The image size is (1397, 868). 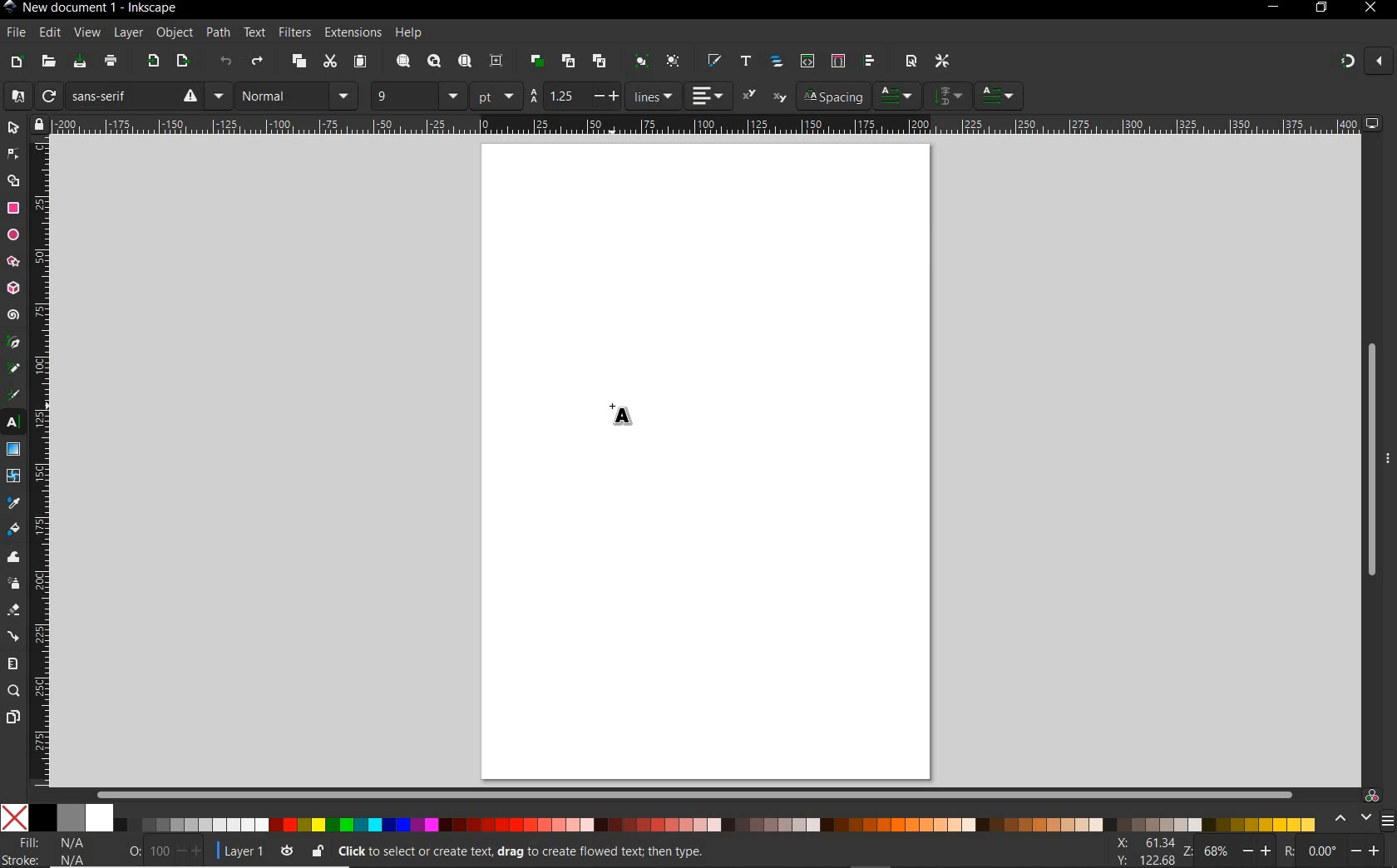 What do you see at coordinates (14, 342) in the screenshot?
I see `pen tool` at bounding box center [14, 342].